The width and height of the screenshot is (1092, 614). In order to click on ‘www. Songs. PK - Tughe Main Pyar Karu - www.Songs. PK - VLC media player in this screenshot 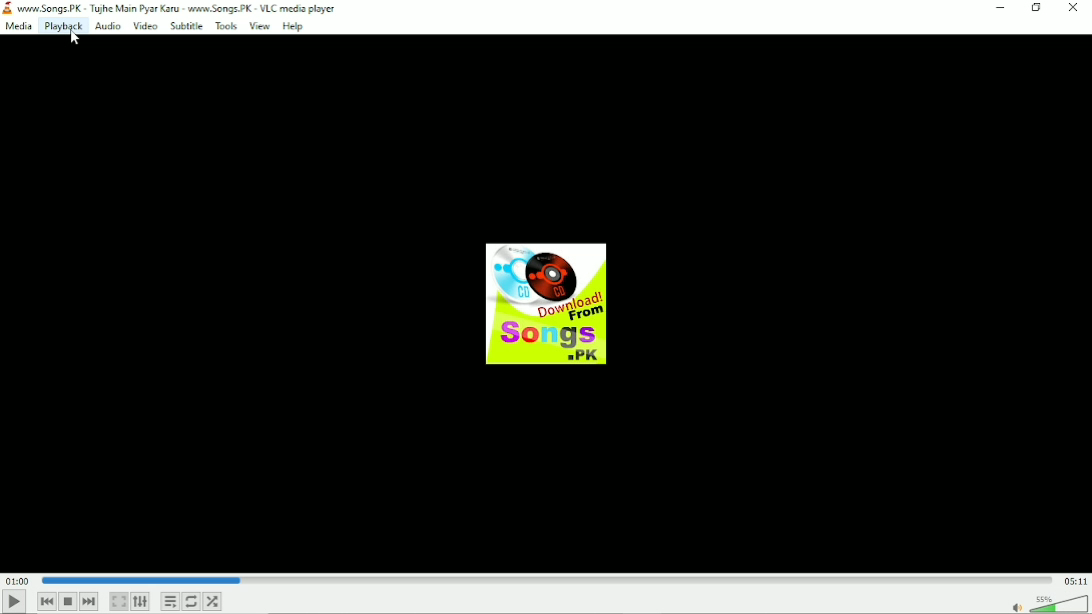, I will do `click(179, 9)`.